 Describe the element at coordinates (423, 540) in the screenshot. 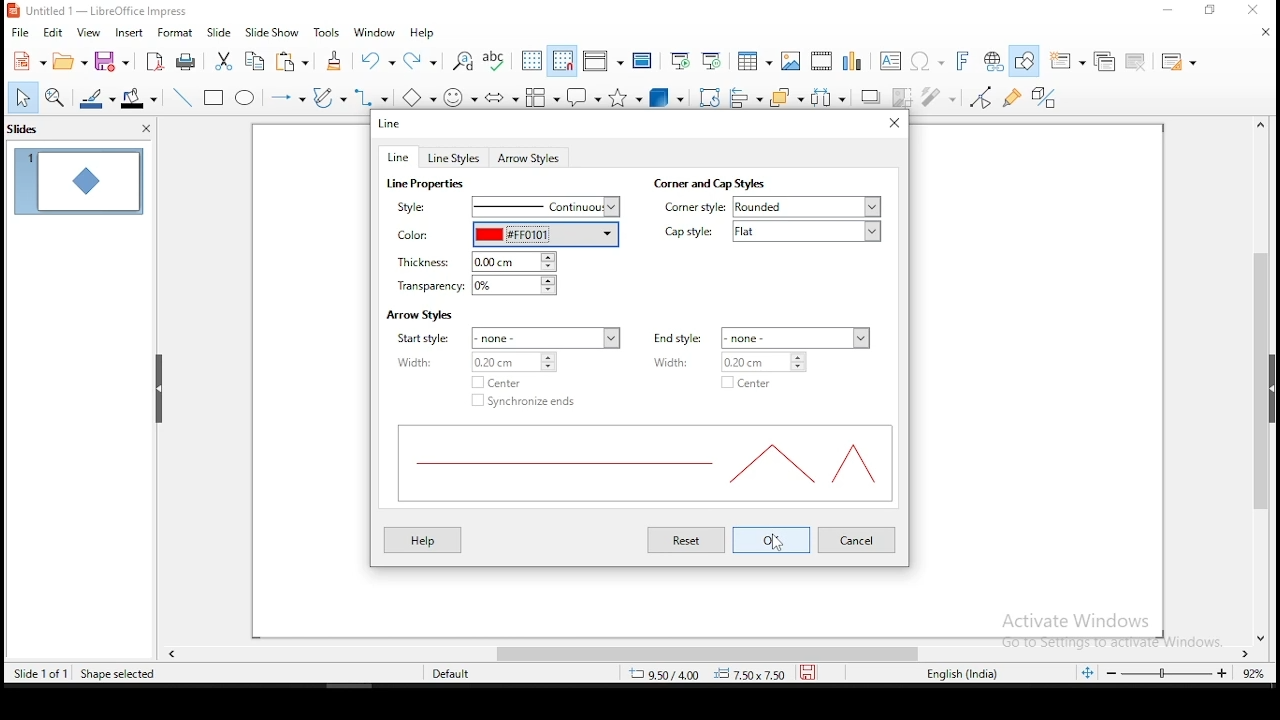

I see `hwlp` at that location.